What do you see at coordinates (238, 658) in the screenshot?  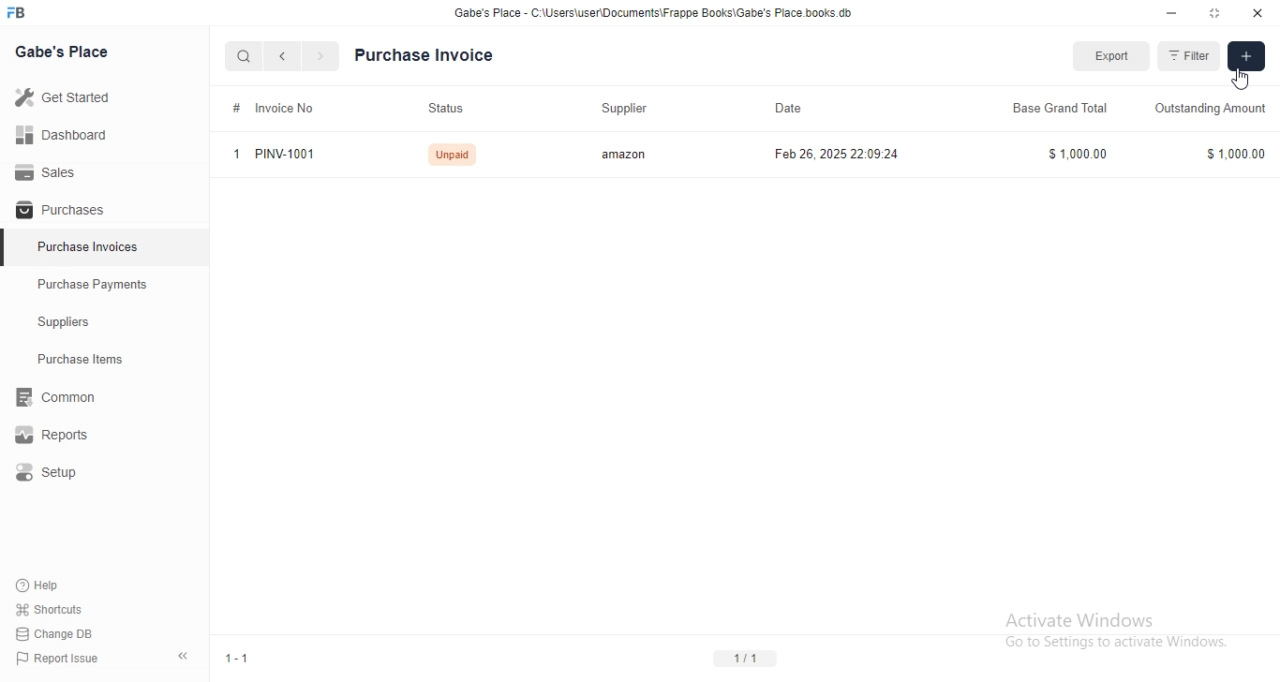 I see `1-1` at bounding box center [238, 658].